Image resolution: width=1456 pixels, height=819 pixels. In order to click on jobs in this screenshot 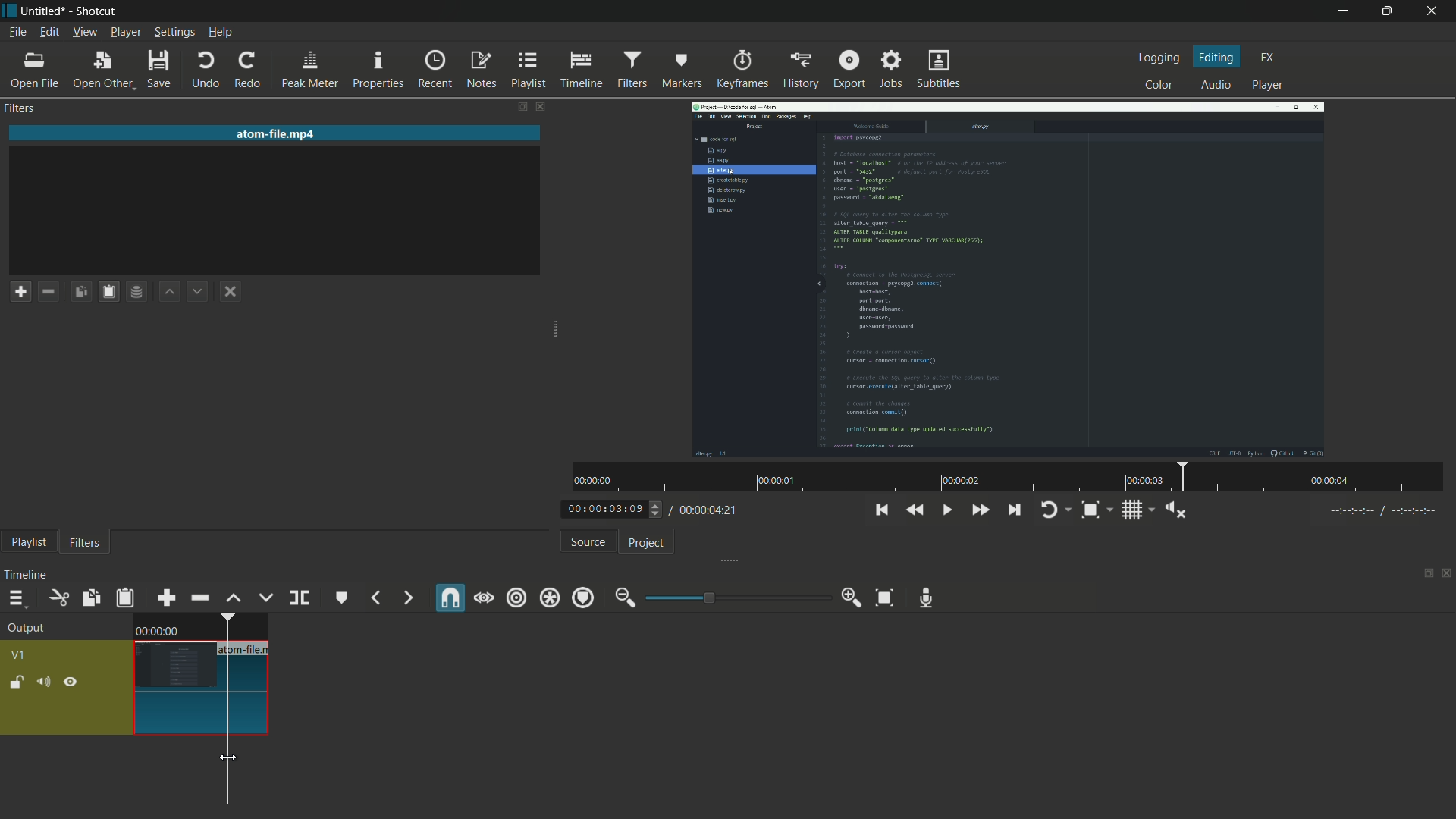, I will do `click(893, 70)`.